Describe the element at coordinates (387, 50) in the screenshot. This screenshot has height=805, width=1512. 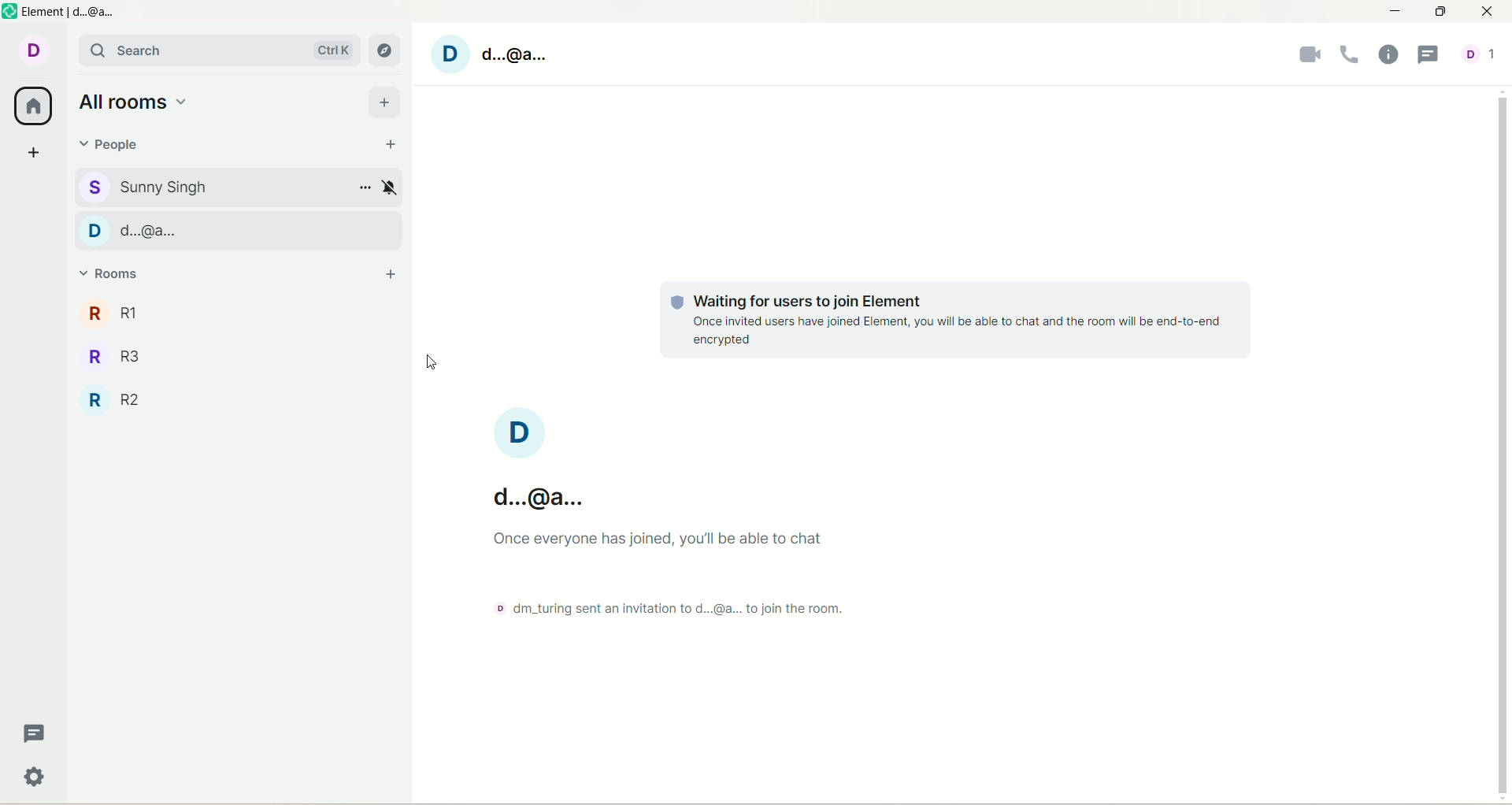
I see `explore rooms` at that location.